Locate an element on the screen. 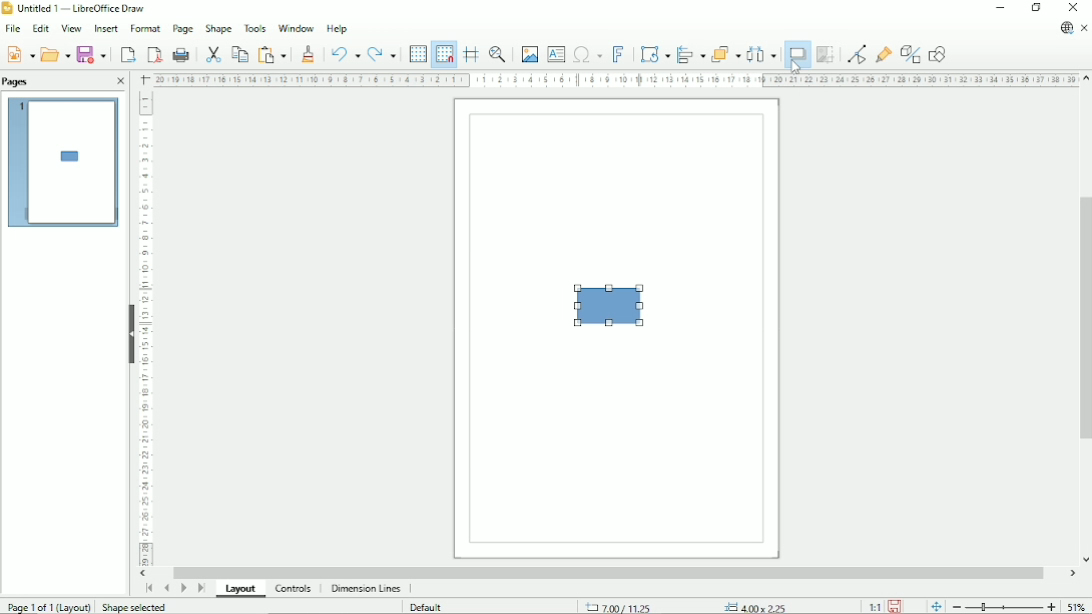 The height and width of the screenshot is (614, 1092). Page is located at coordinates (183, 27).